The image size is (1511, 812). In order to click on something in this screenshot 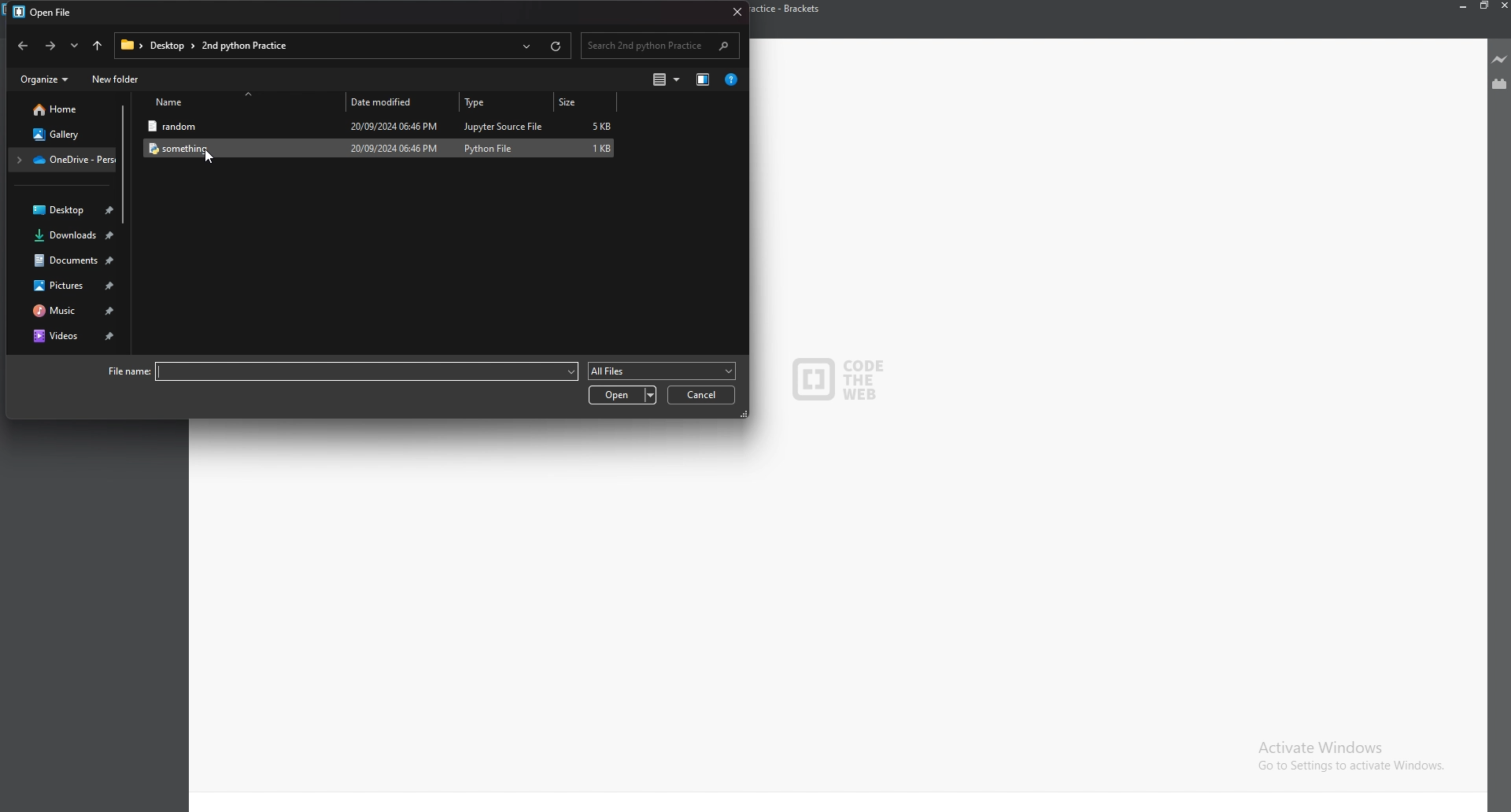, I will do `click(232, 147)`.